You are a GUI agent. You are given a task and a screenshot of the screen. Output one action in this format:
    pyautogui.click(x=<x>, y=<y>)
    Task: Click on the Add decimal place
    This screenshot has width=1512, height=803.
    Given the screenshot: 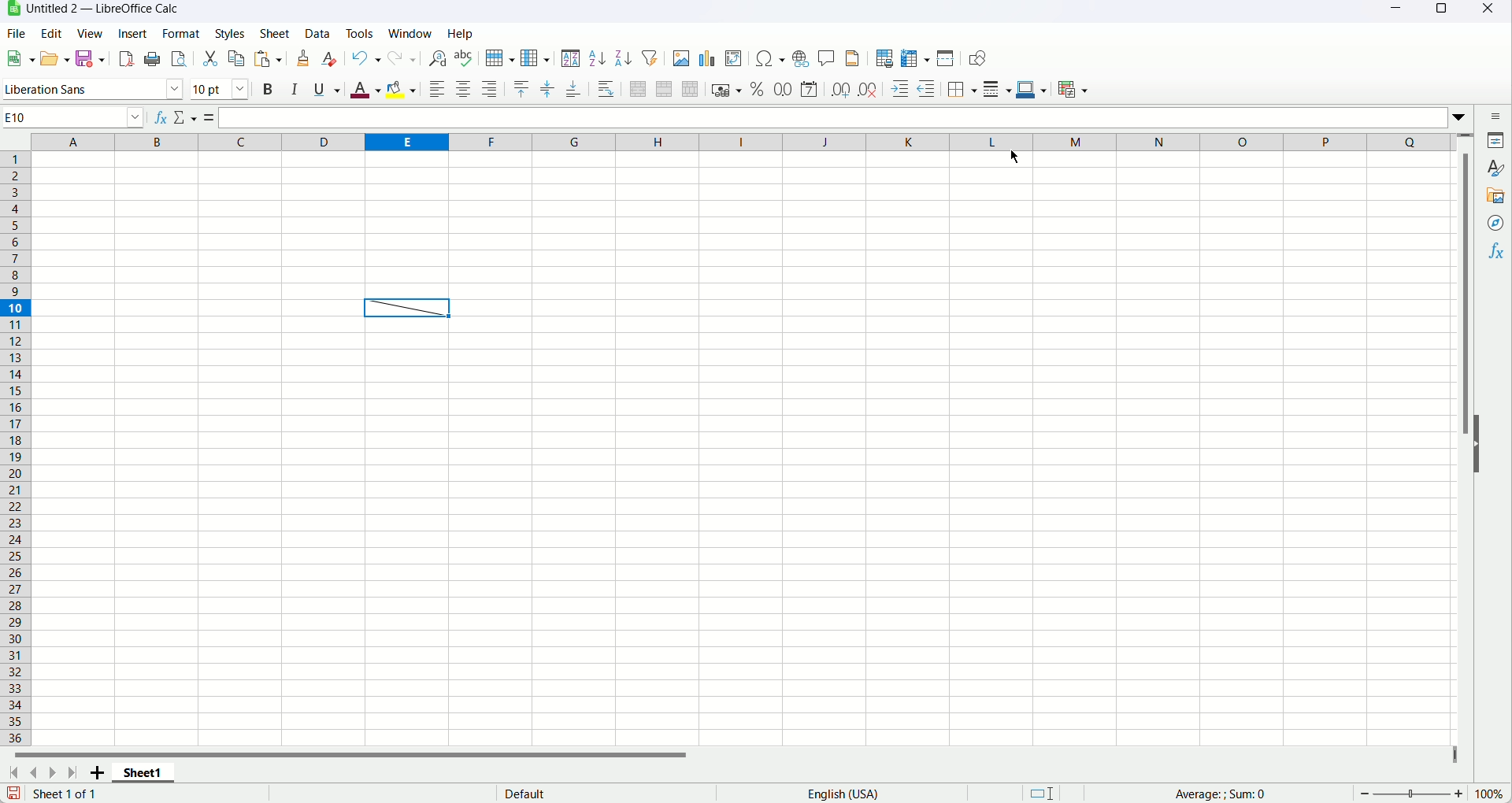 What is the action you would take?
    pyautogui.click(x=839, y=88)
    